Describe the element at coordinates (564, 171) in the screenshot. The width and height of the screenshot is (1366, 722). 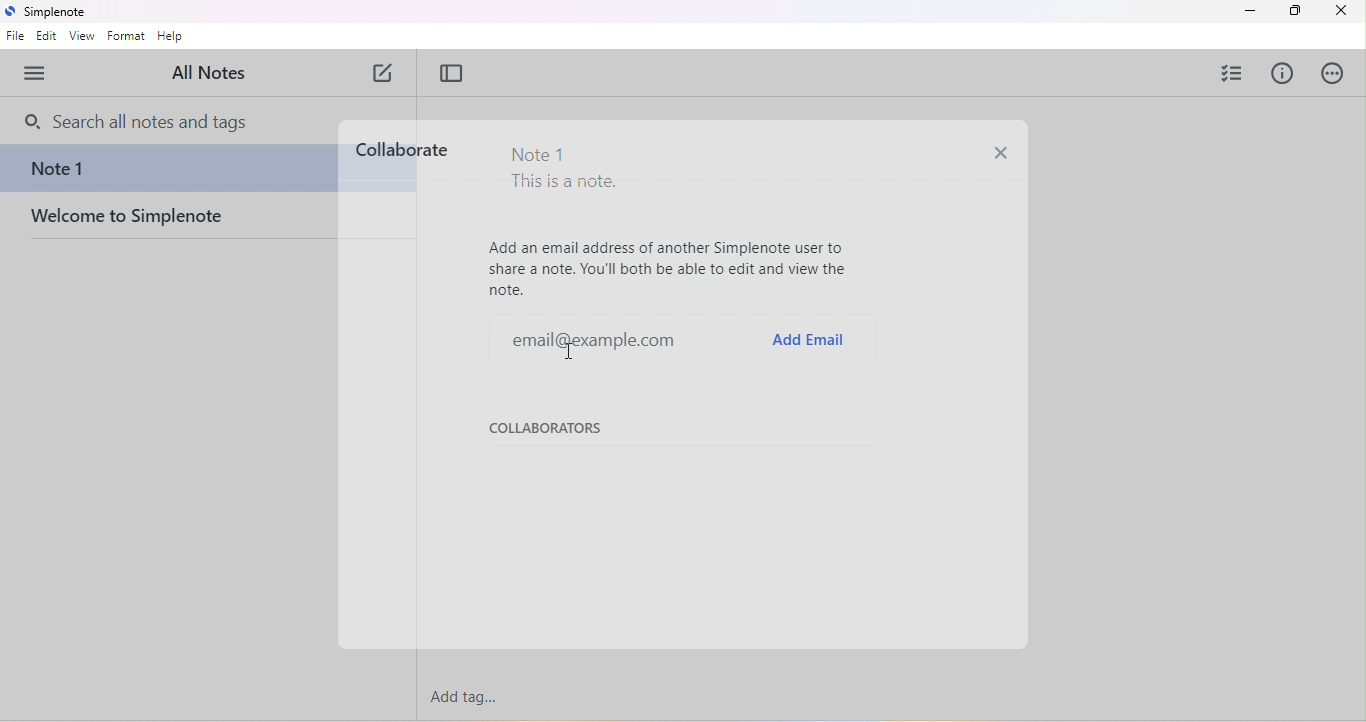
I see `Note 1
This is a note.` at that location.